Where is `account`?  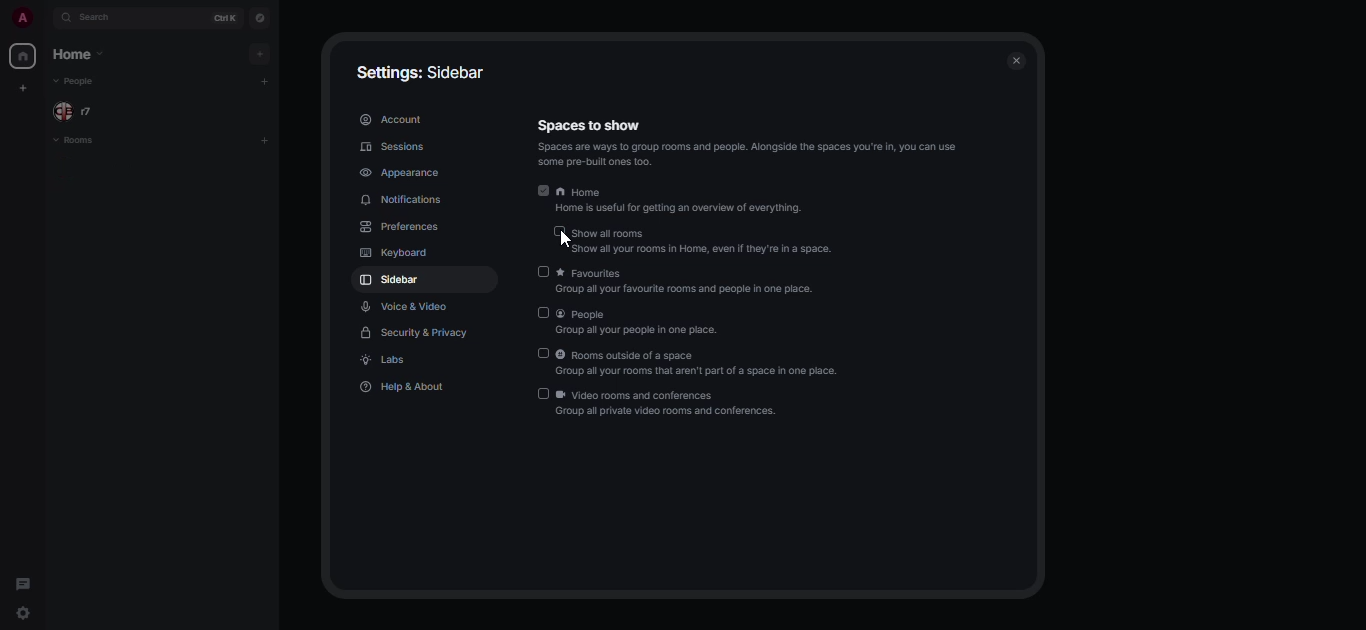
account is located at coordinates (390, 119).